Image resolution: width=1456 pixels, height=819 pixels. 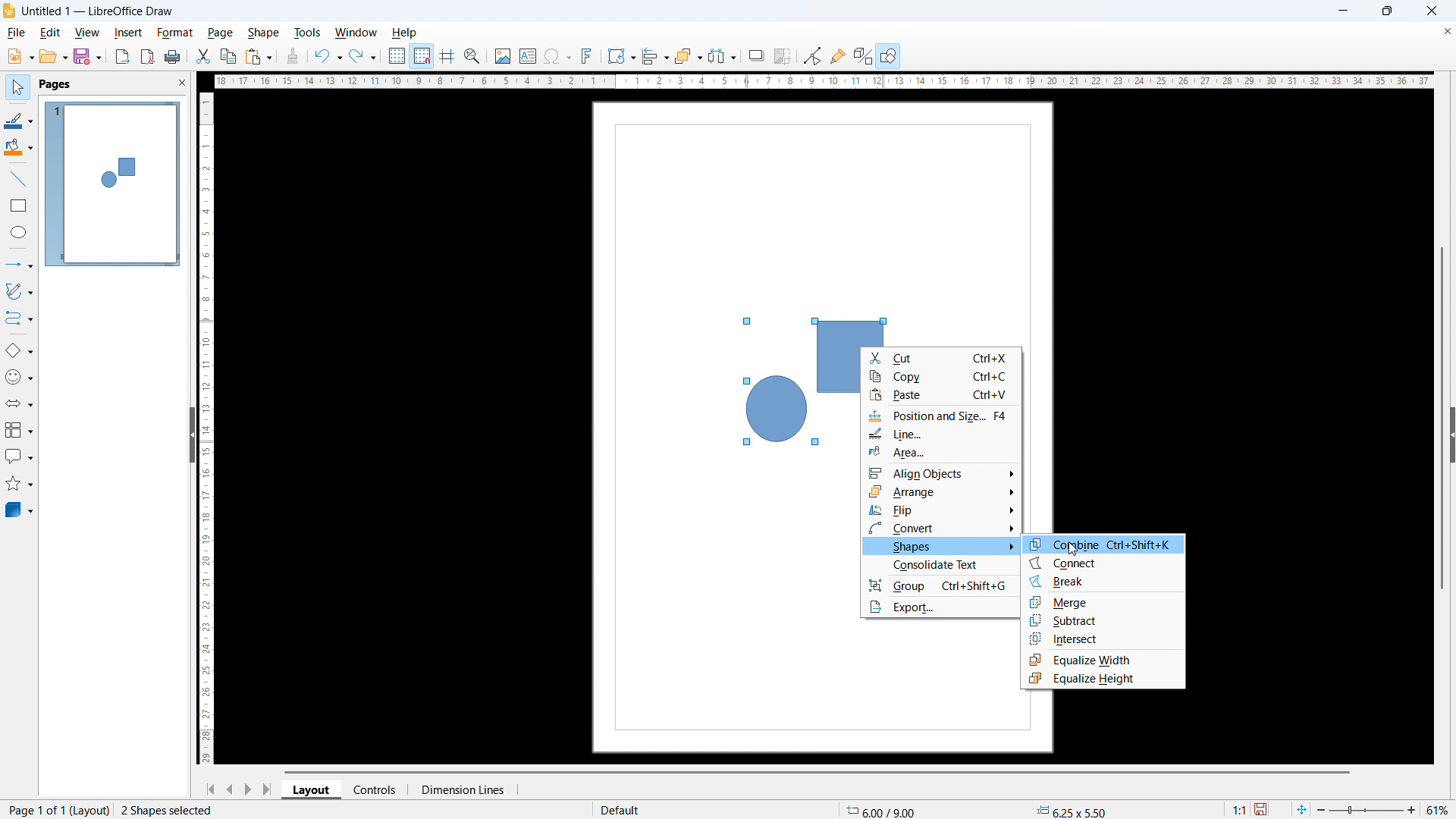 What do you see at coordinates (174, 57) in the screenshot?
I see `print` at bounding box center [174, 57].